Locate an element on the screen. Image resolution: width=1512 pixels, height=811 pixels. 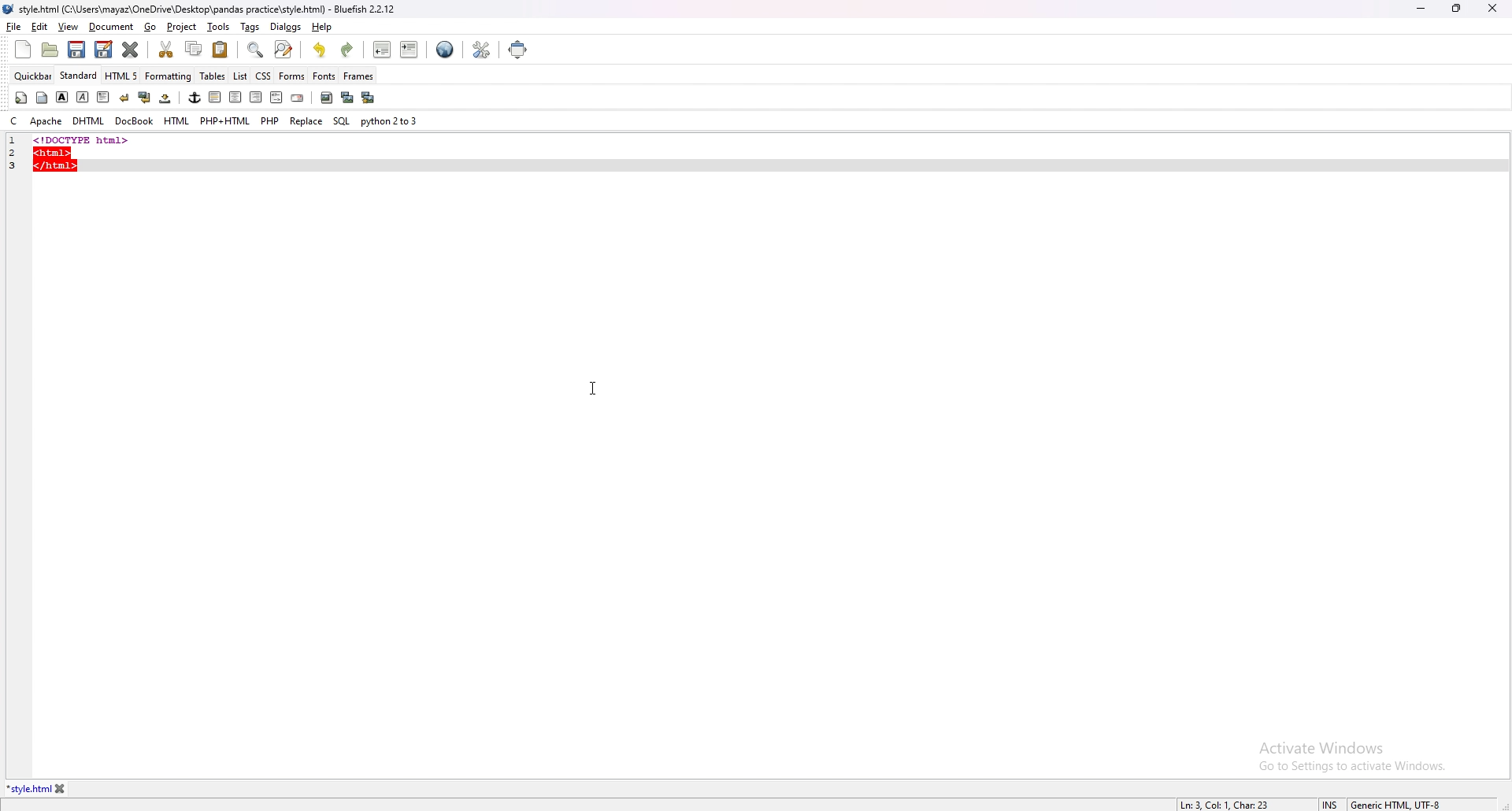
go is located at coordinates (152, 28).